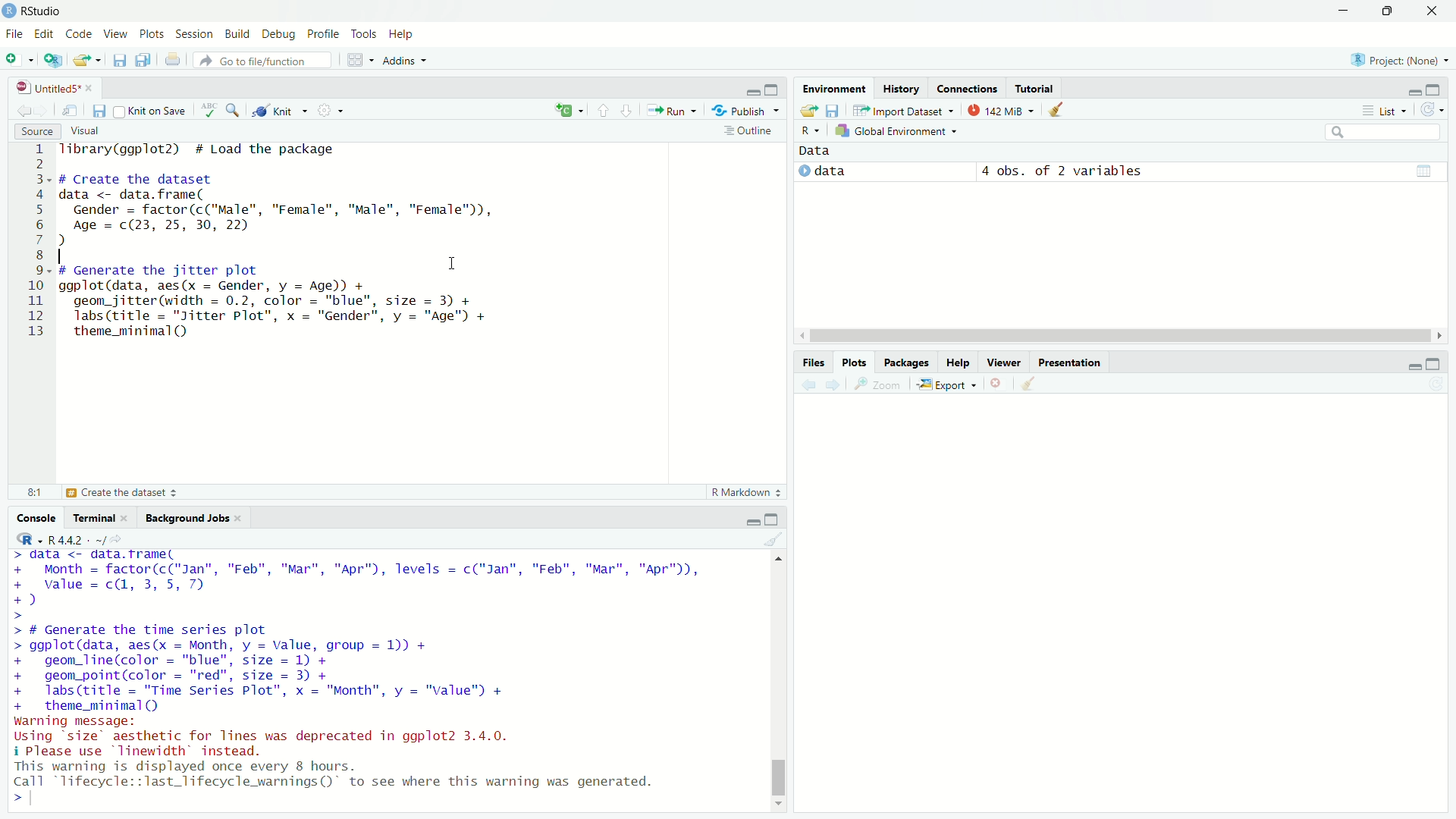  I want to click on project: (None), so click(1398, 60).